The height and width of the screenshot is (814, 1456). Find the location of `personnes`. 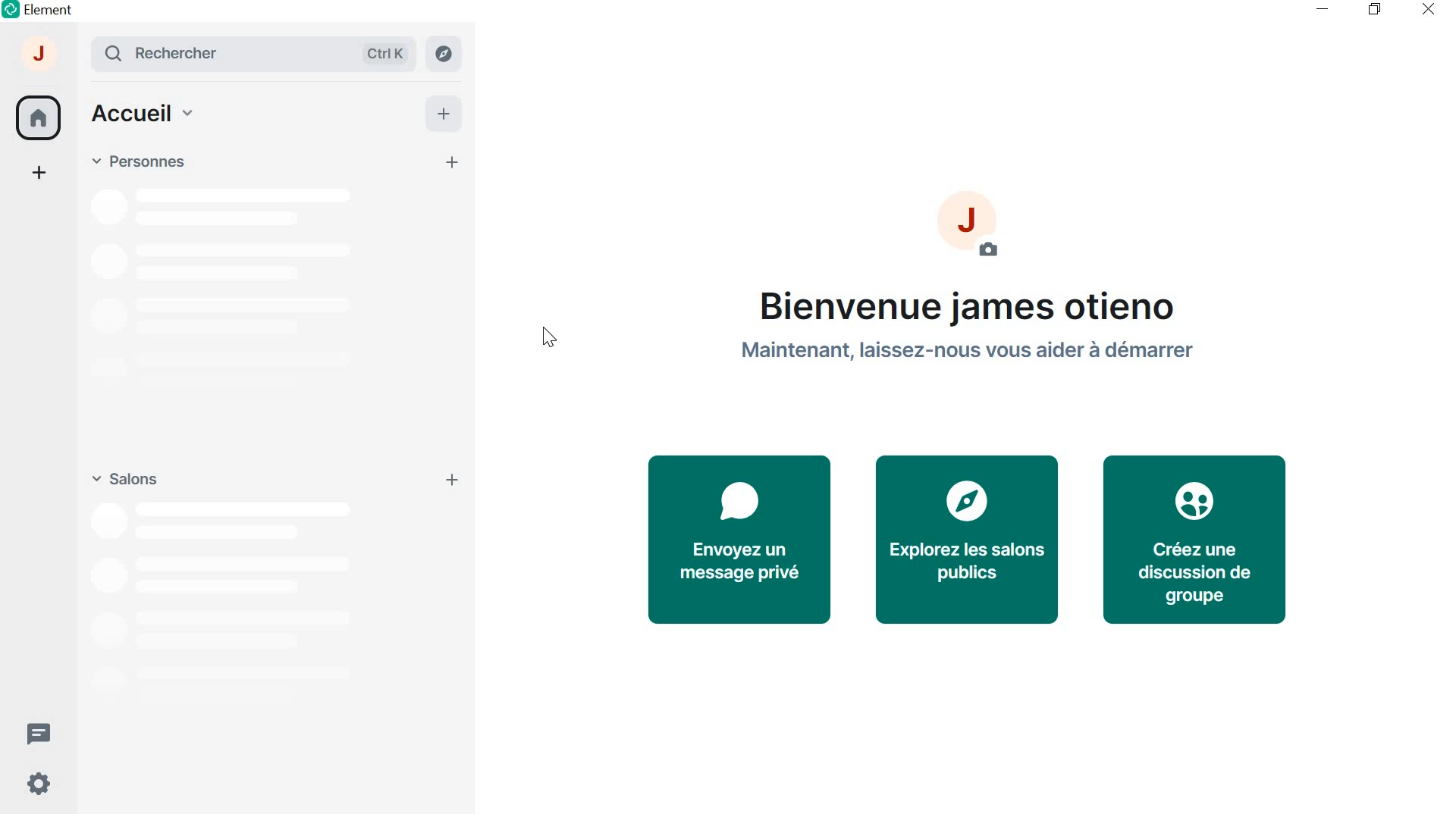

personnes is located at coordinates (138, 161).